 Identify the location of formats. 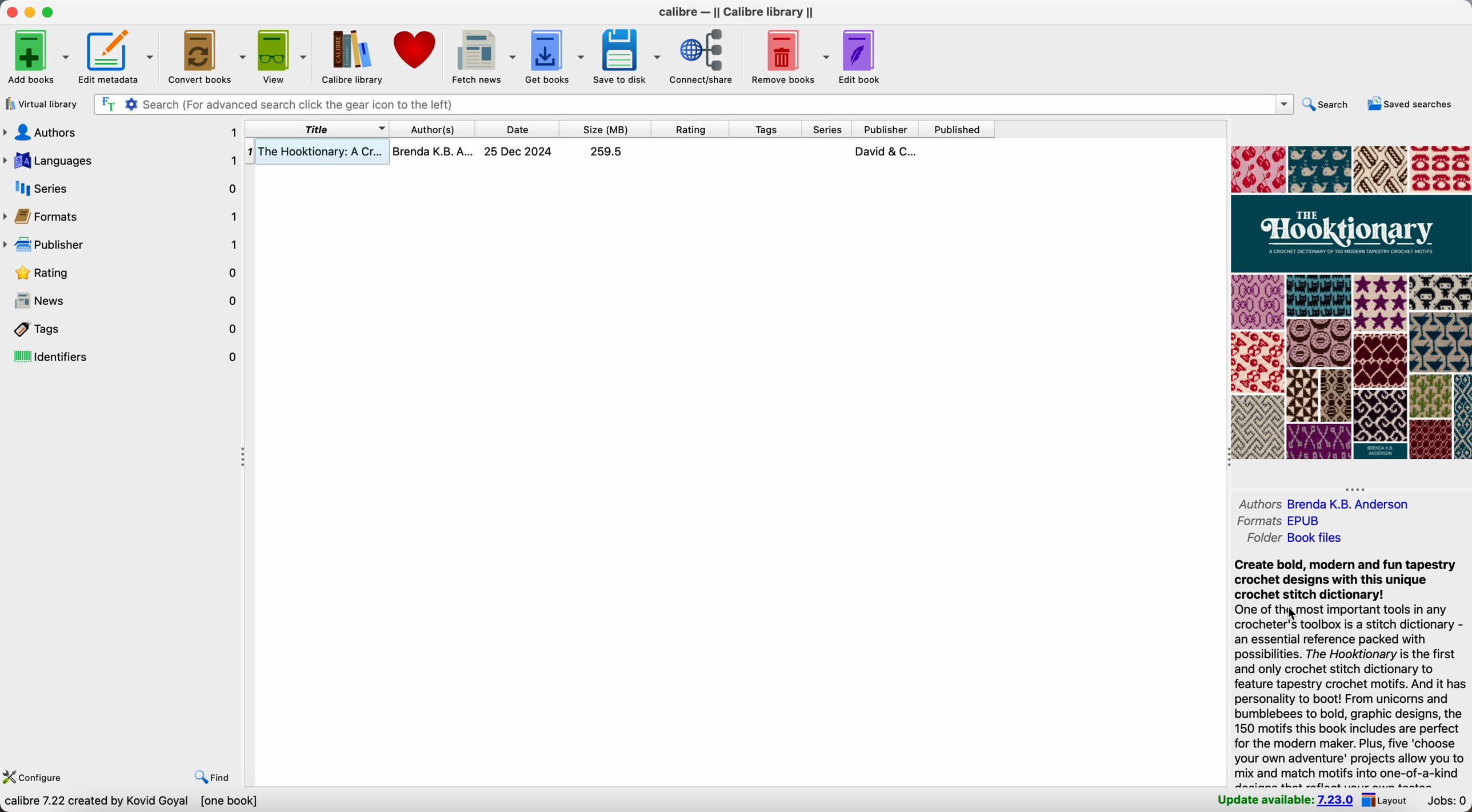
(122, 218).